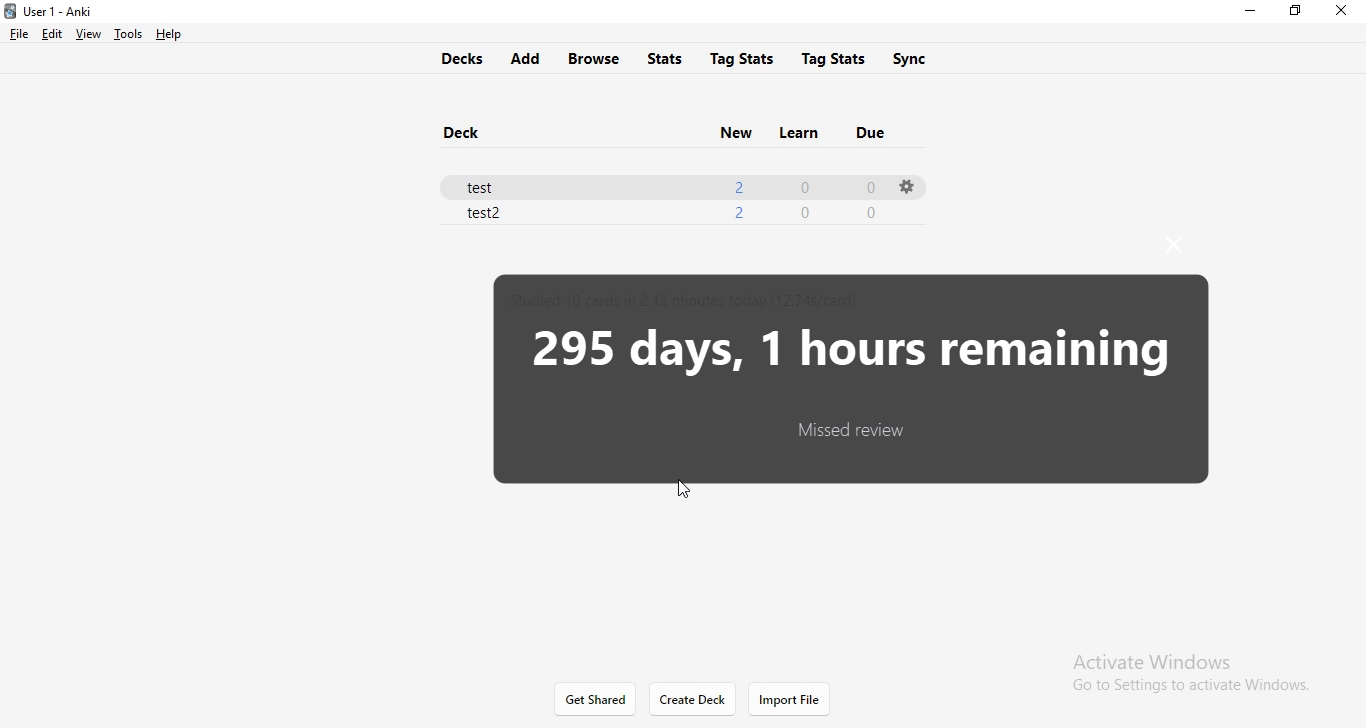  What do you see at coordinates (789, 700) in the screenshot?
I see `import` at bounding box center [789, 700].